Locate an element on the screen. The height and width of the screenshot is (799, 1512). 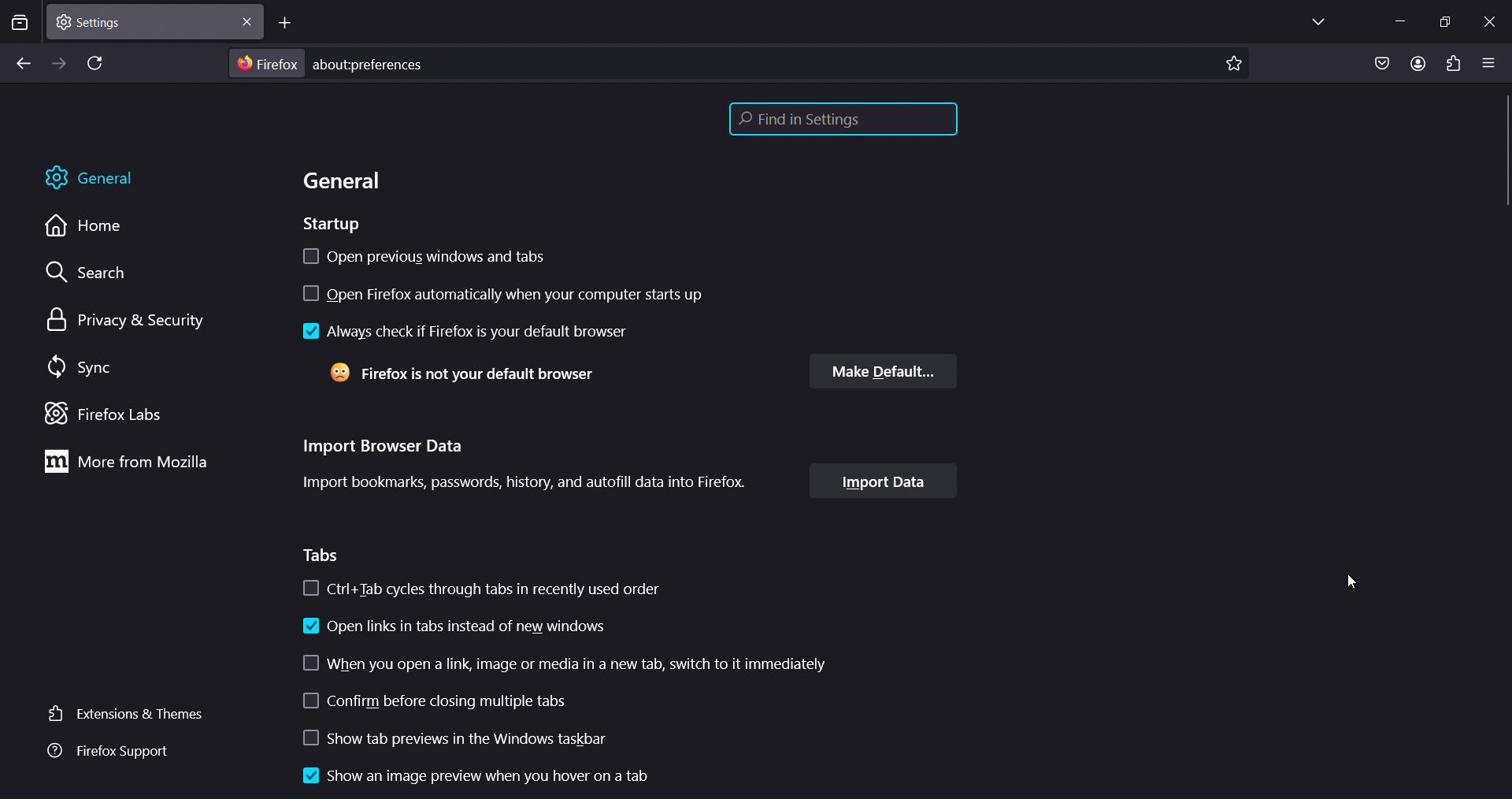
confirm before closing multiple tabs is located at coordinates (437, 701).